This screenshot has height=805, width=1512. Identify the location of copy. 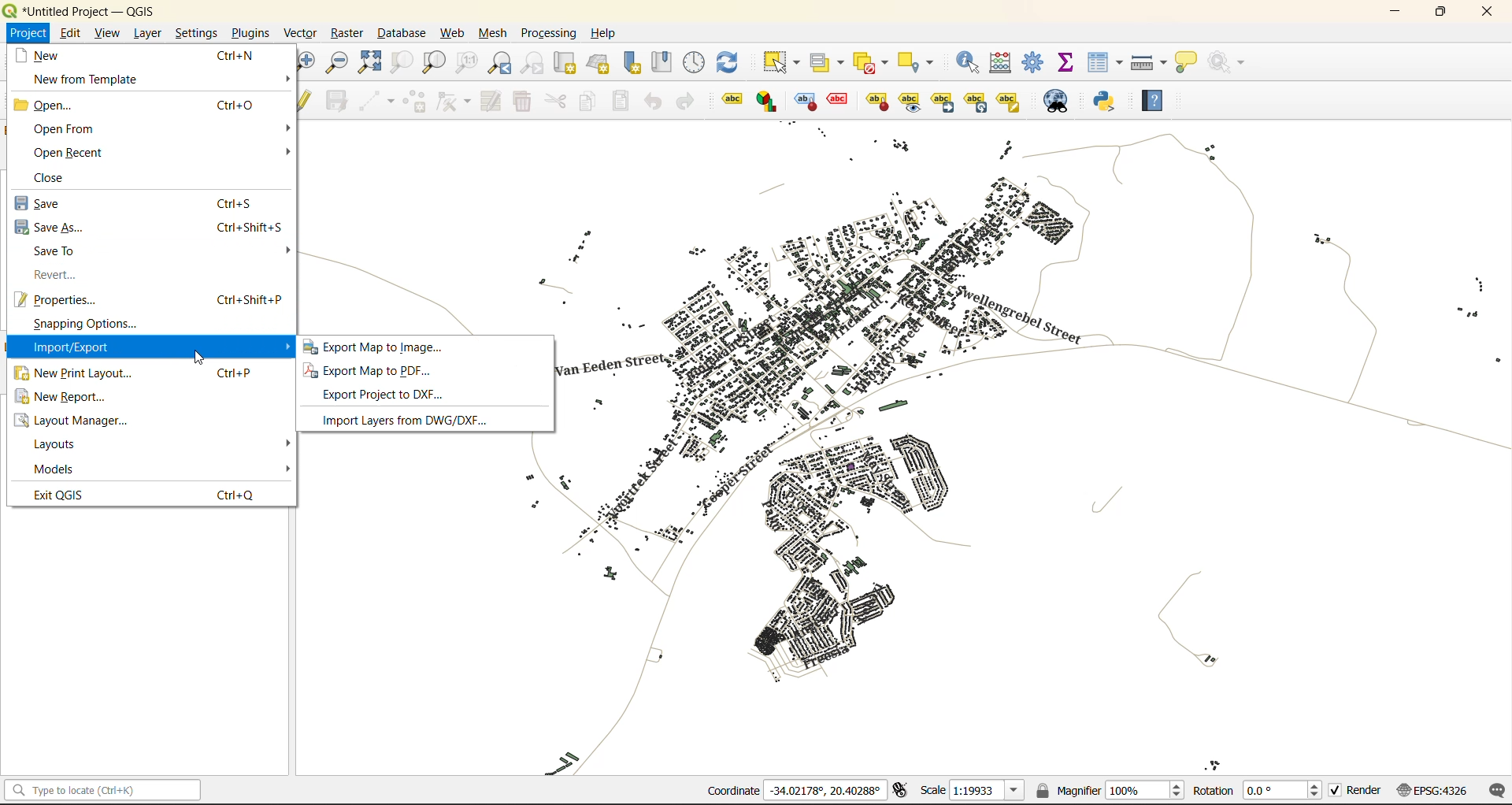
(587, 101).